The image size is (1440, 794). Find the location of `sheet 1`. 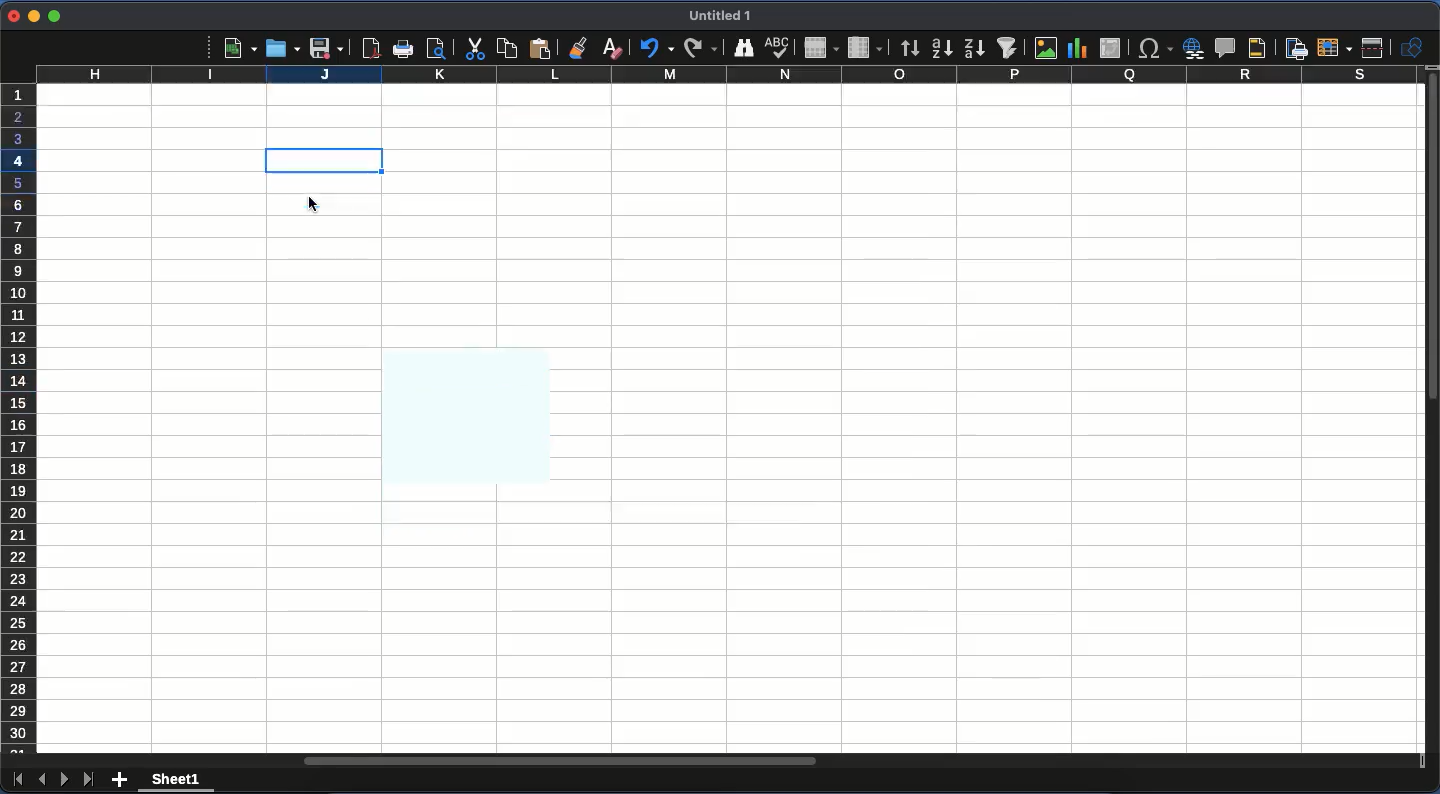

sheet 1 is located at coordinates (176, 782).